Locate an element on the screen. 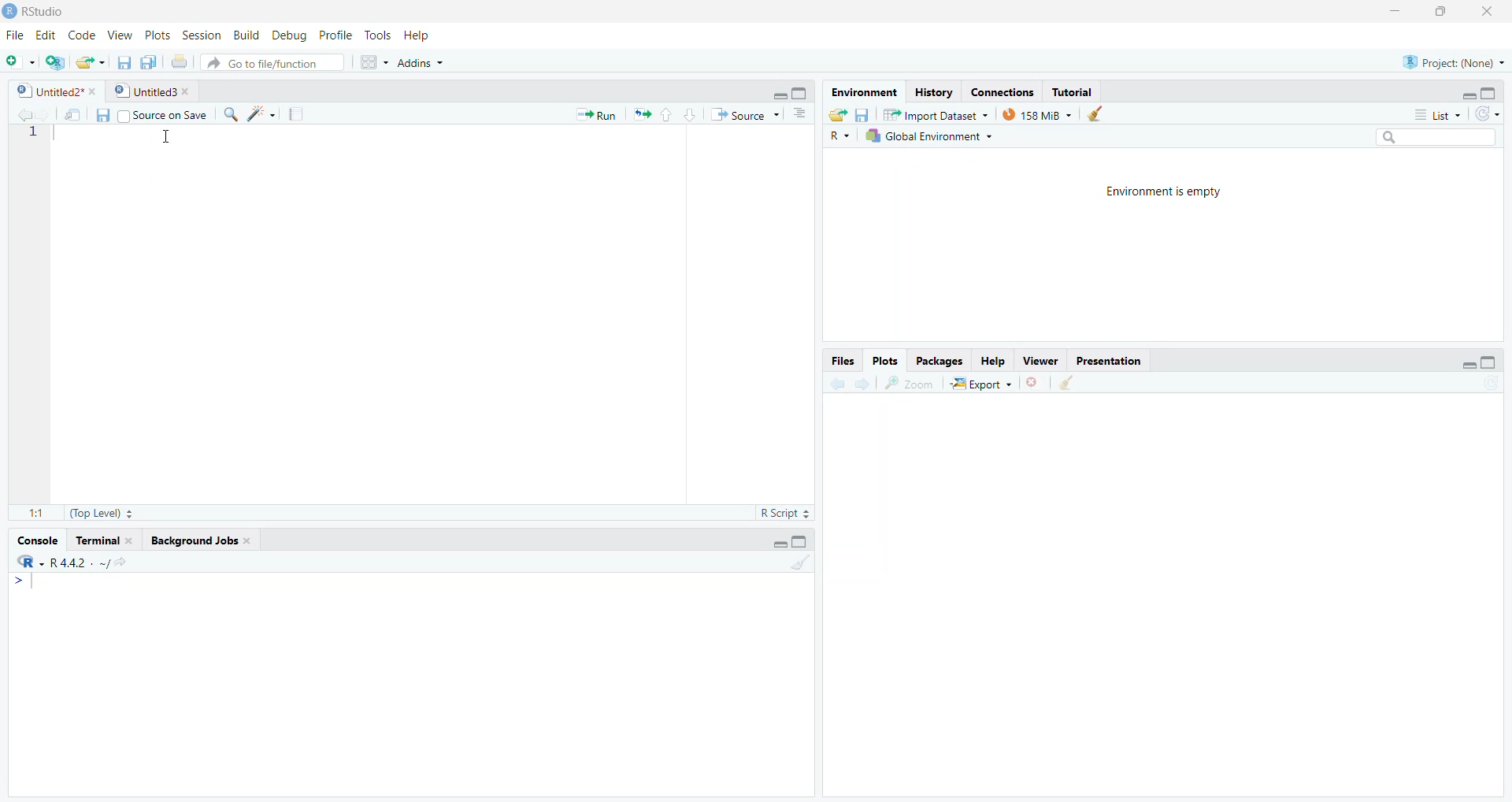 The width and height of the screenshot is (1512, 802). * Run is located at coordinates (595, 113).